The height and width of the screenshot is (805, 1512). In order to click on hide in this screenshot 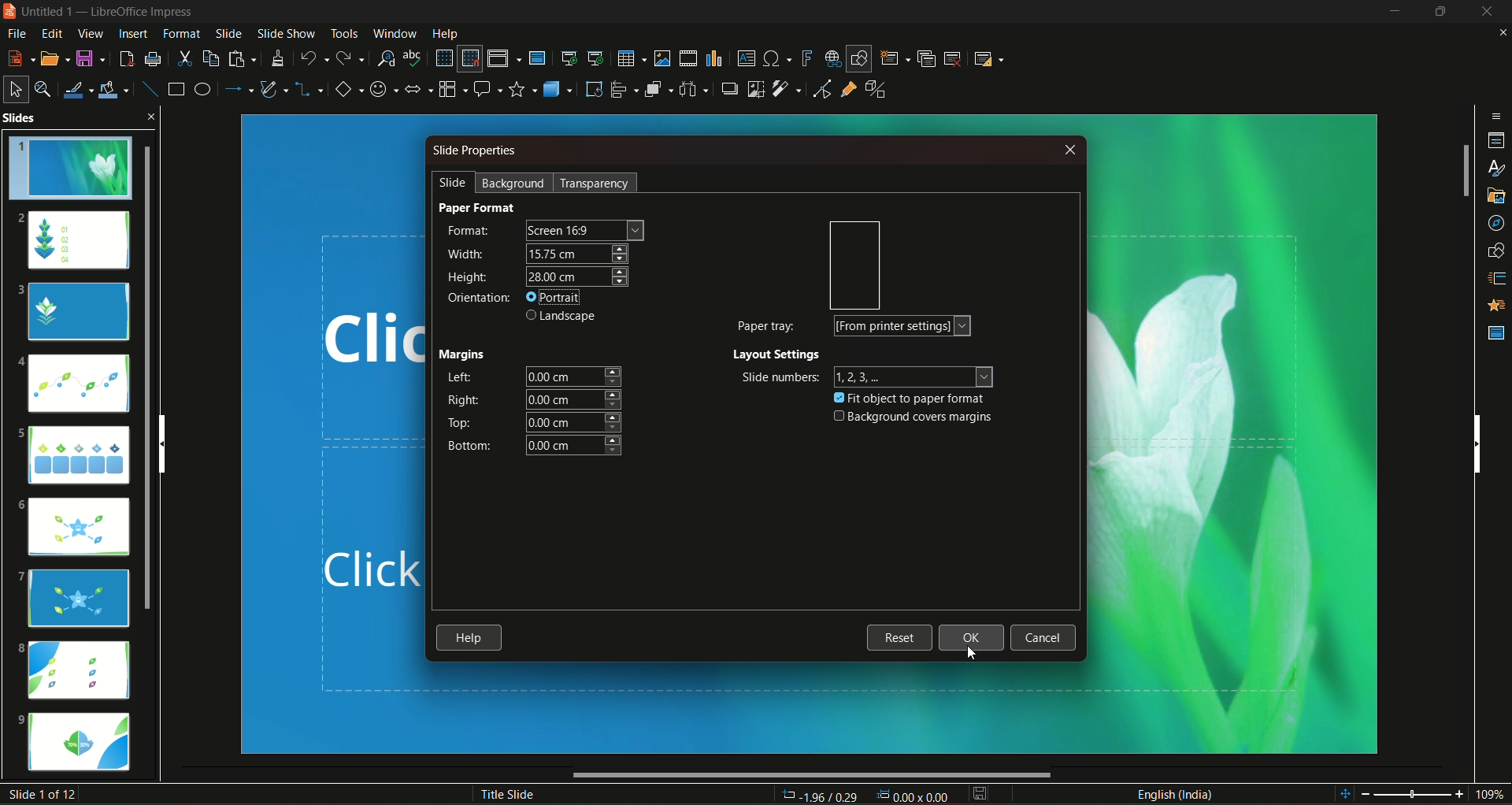, I will do `click(1437, 12)`.